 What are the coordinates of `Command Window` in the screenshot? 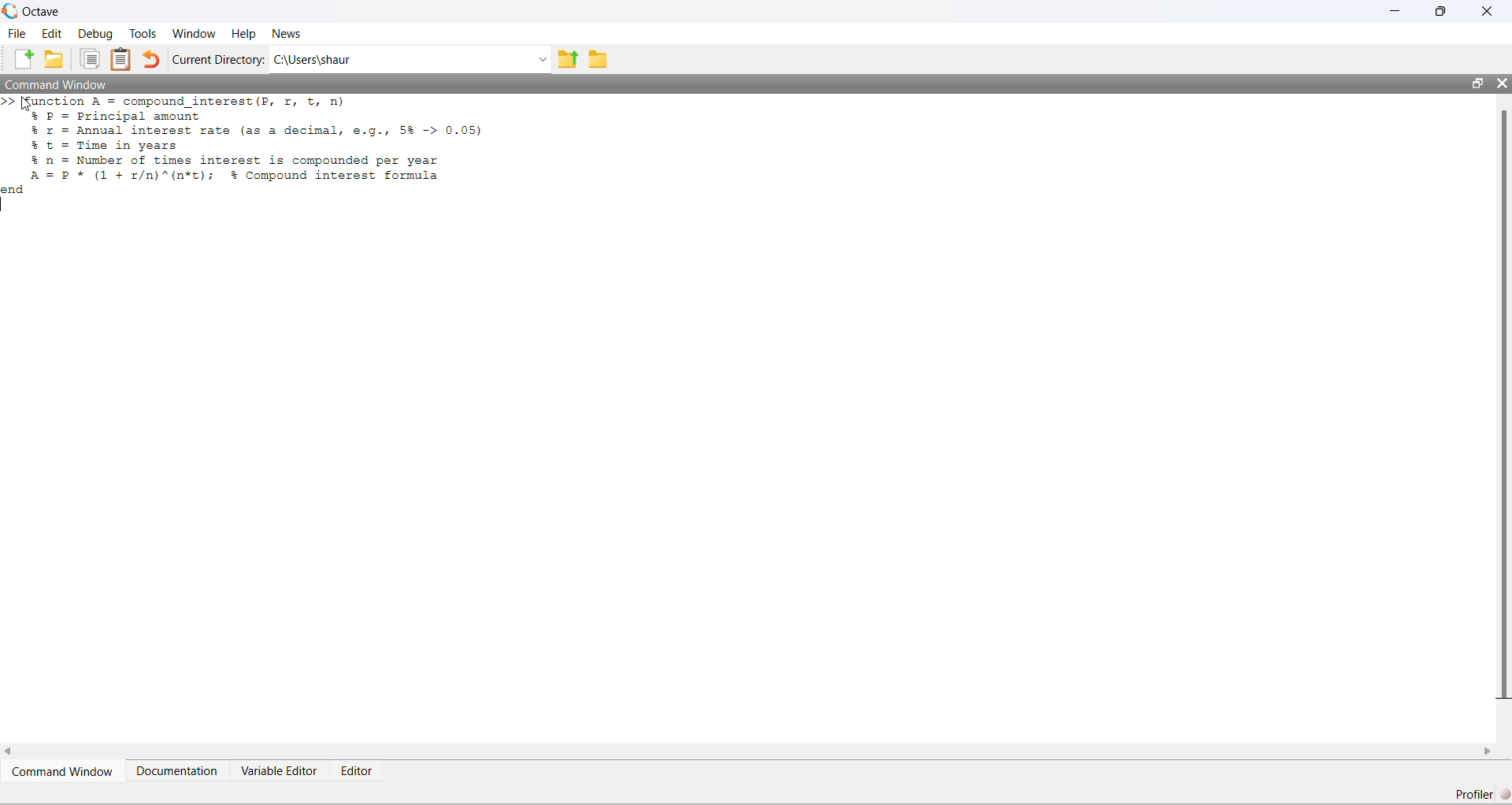 It's located at (55, 84).